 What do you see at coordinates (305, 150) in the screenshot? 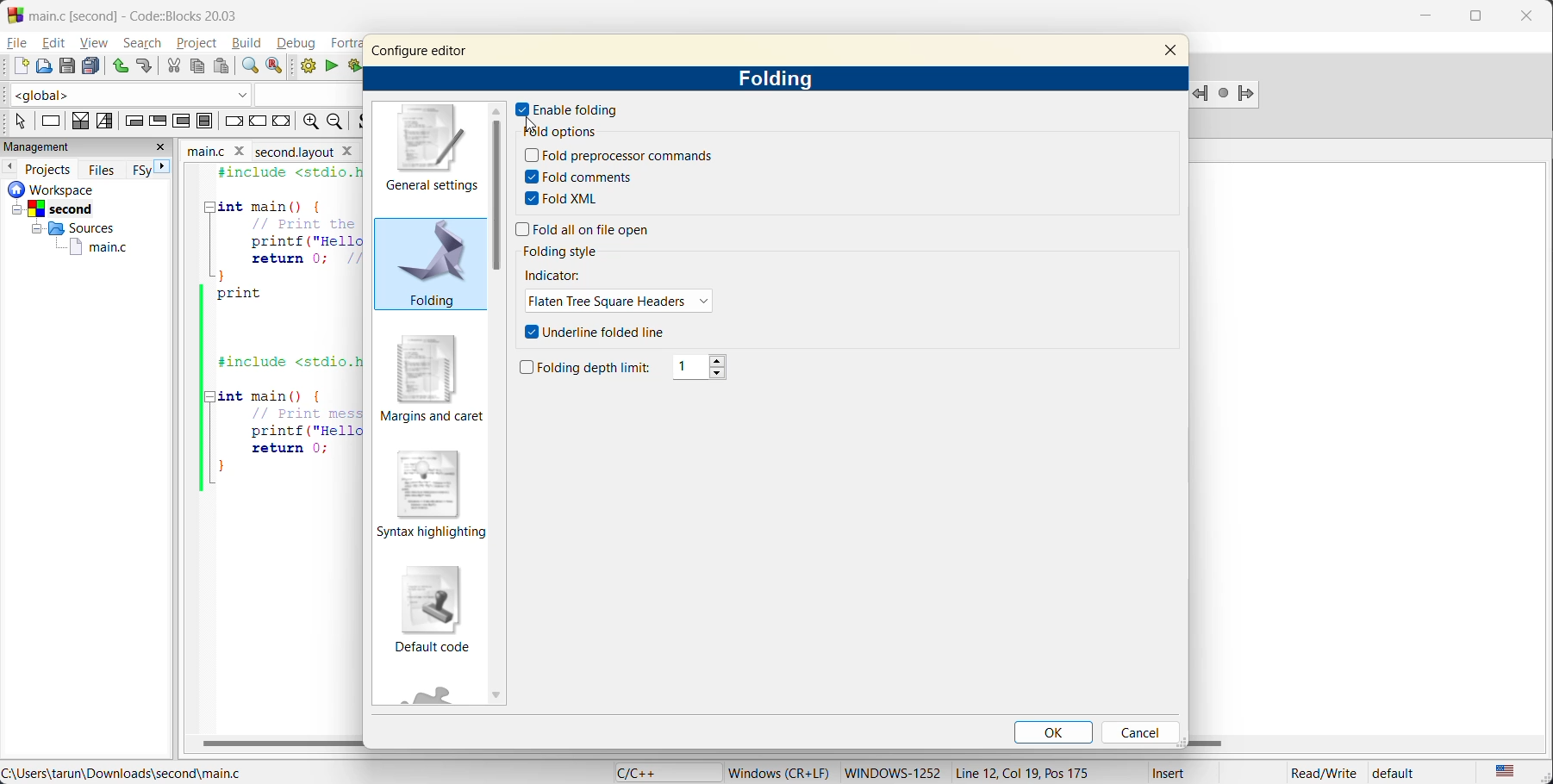
I see `Second layout` at bounding box center [305, 150].